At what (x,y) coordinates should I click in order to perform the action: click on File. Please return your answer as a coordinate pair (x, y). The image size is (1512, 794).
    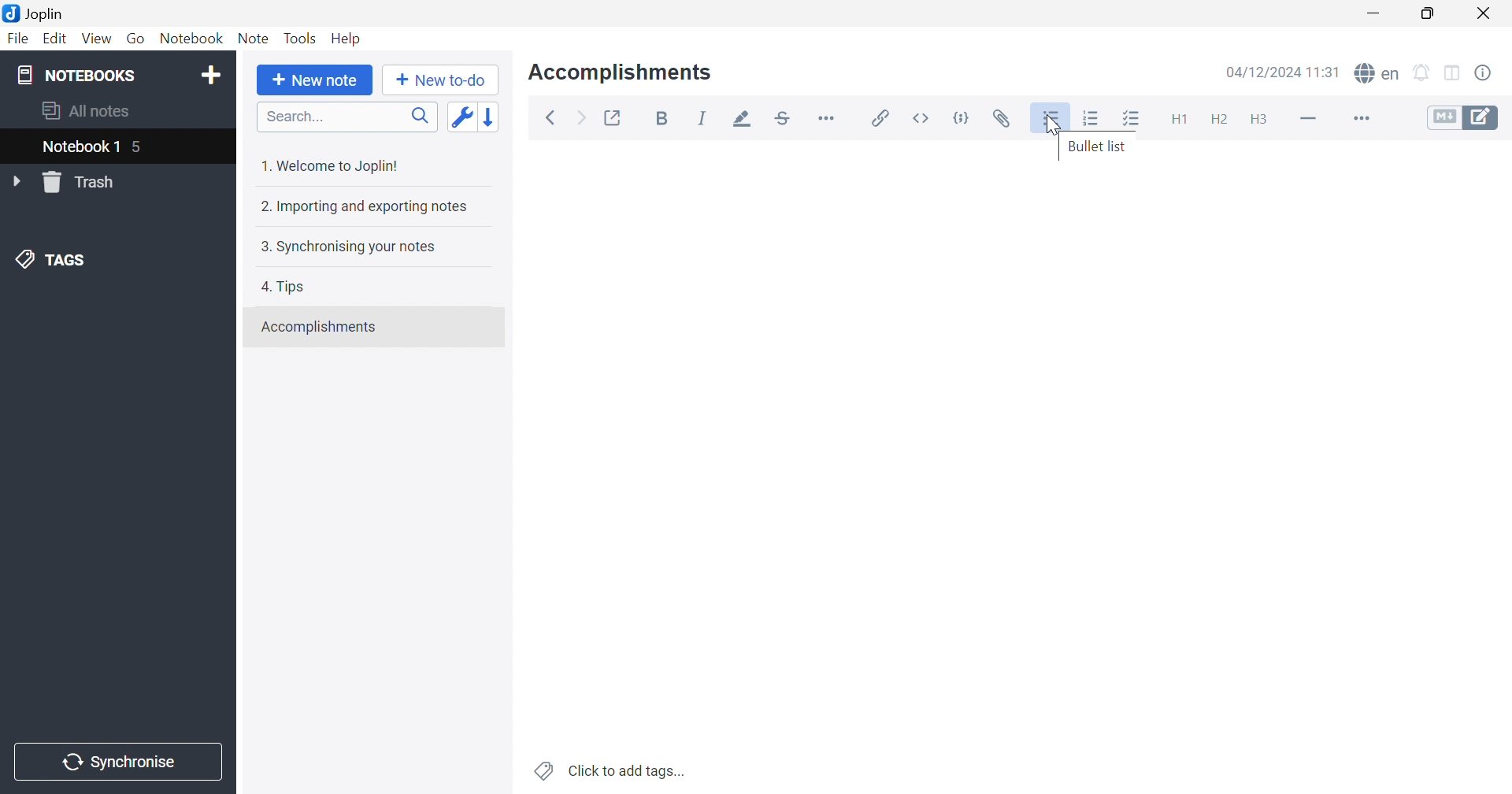
    Looking at the image, I should click on (20, 38).